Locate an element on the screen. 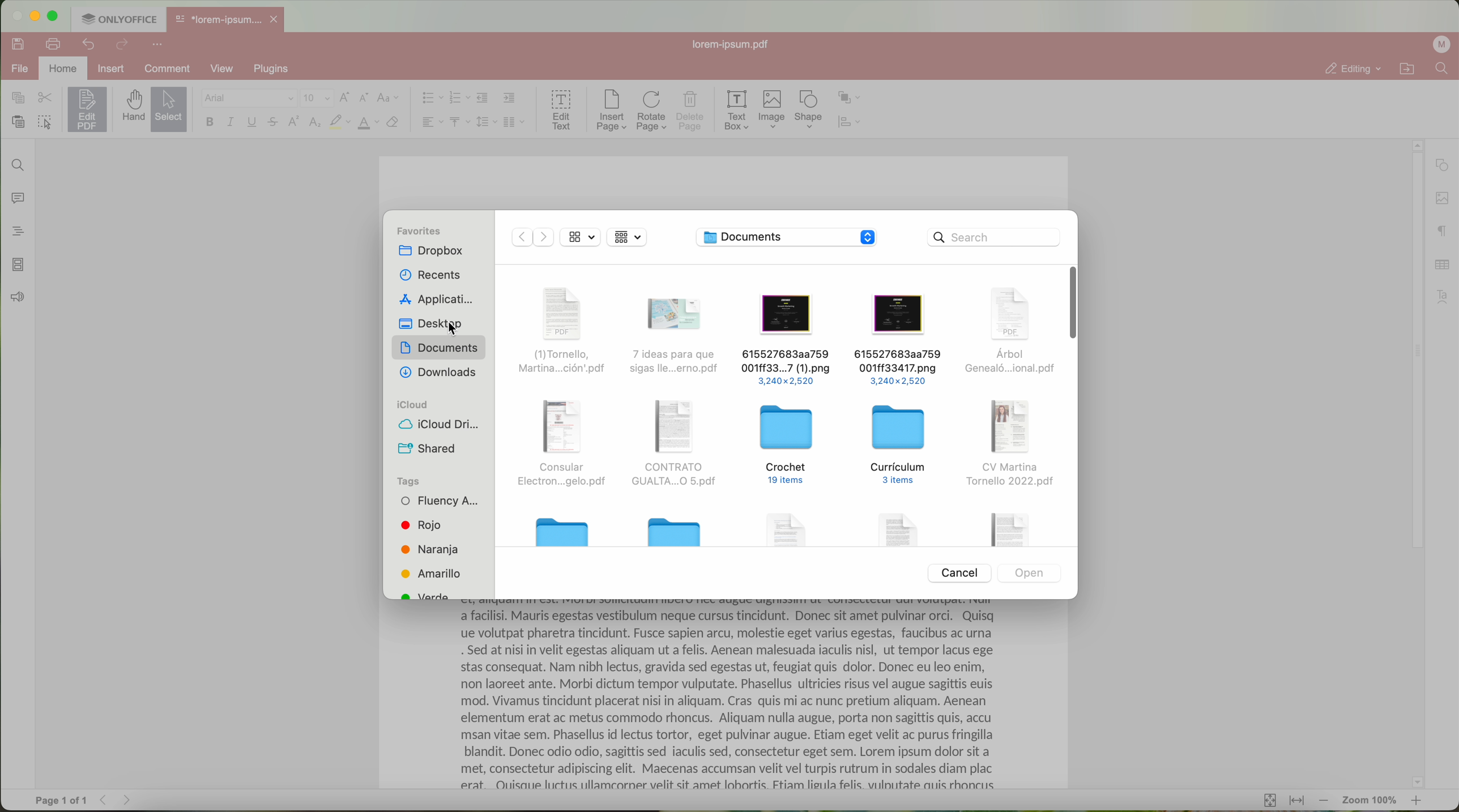 This screenshot has width=1459, height=812. Crochet
19 items is located at coordinates (787, 446).